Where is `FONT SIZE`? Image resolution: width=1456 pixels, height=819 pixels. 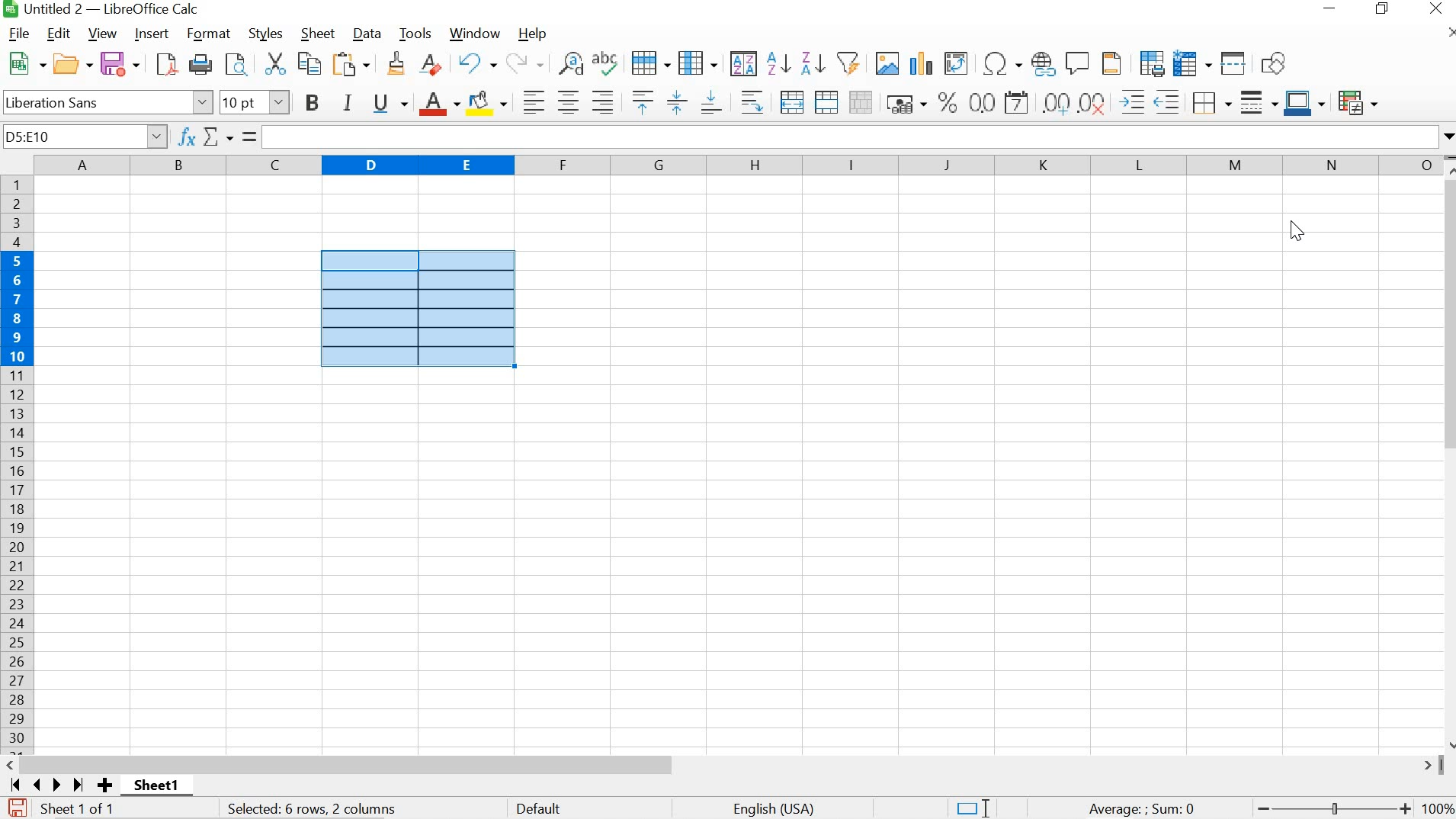
FONT SIZE is located at coordinates (254, 101).